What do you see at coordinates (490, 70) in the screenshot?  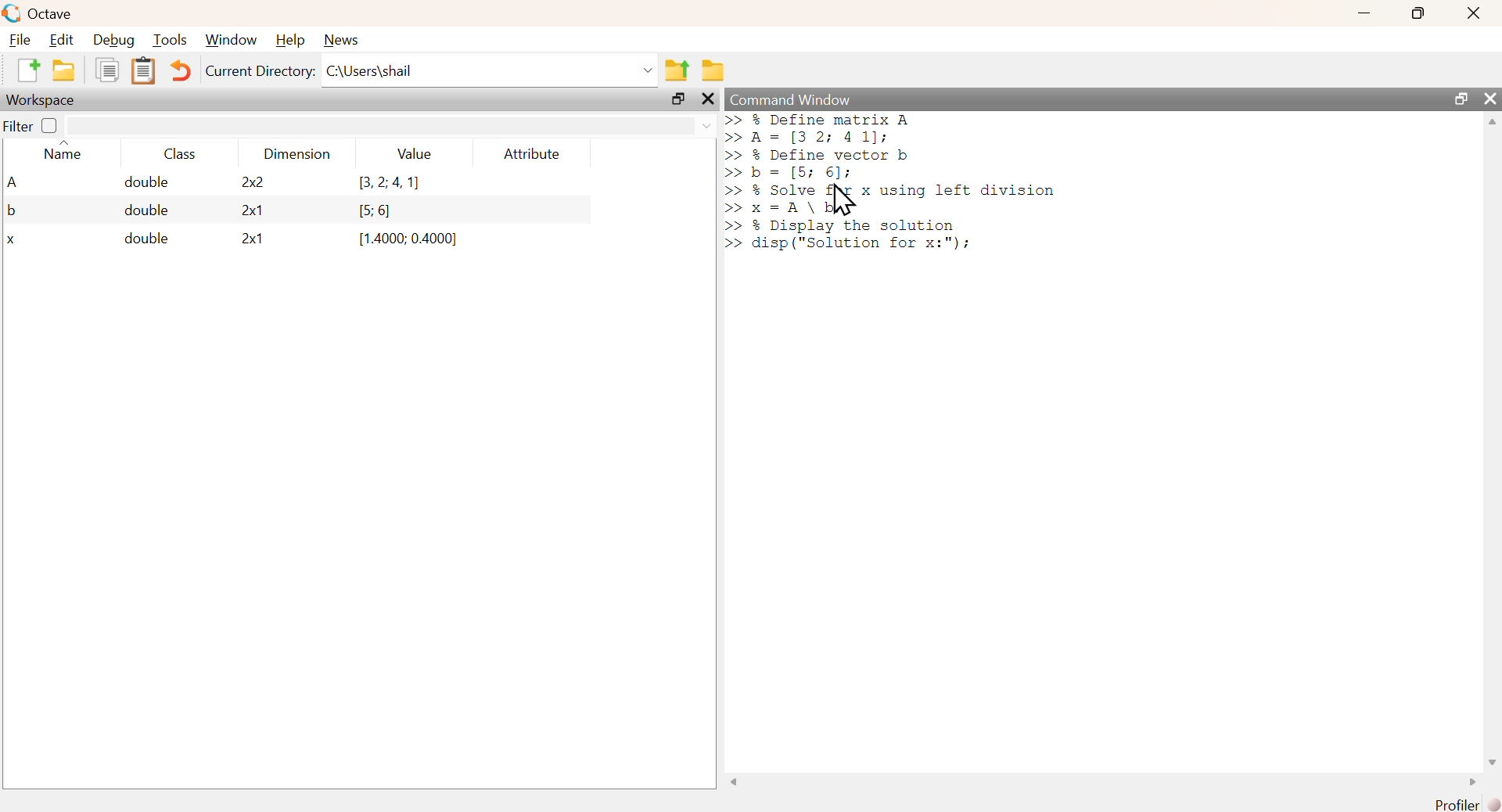 I see `C:\Users\shail ` at bounding box center [490, 70].